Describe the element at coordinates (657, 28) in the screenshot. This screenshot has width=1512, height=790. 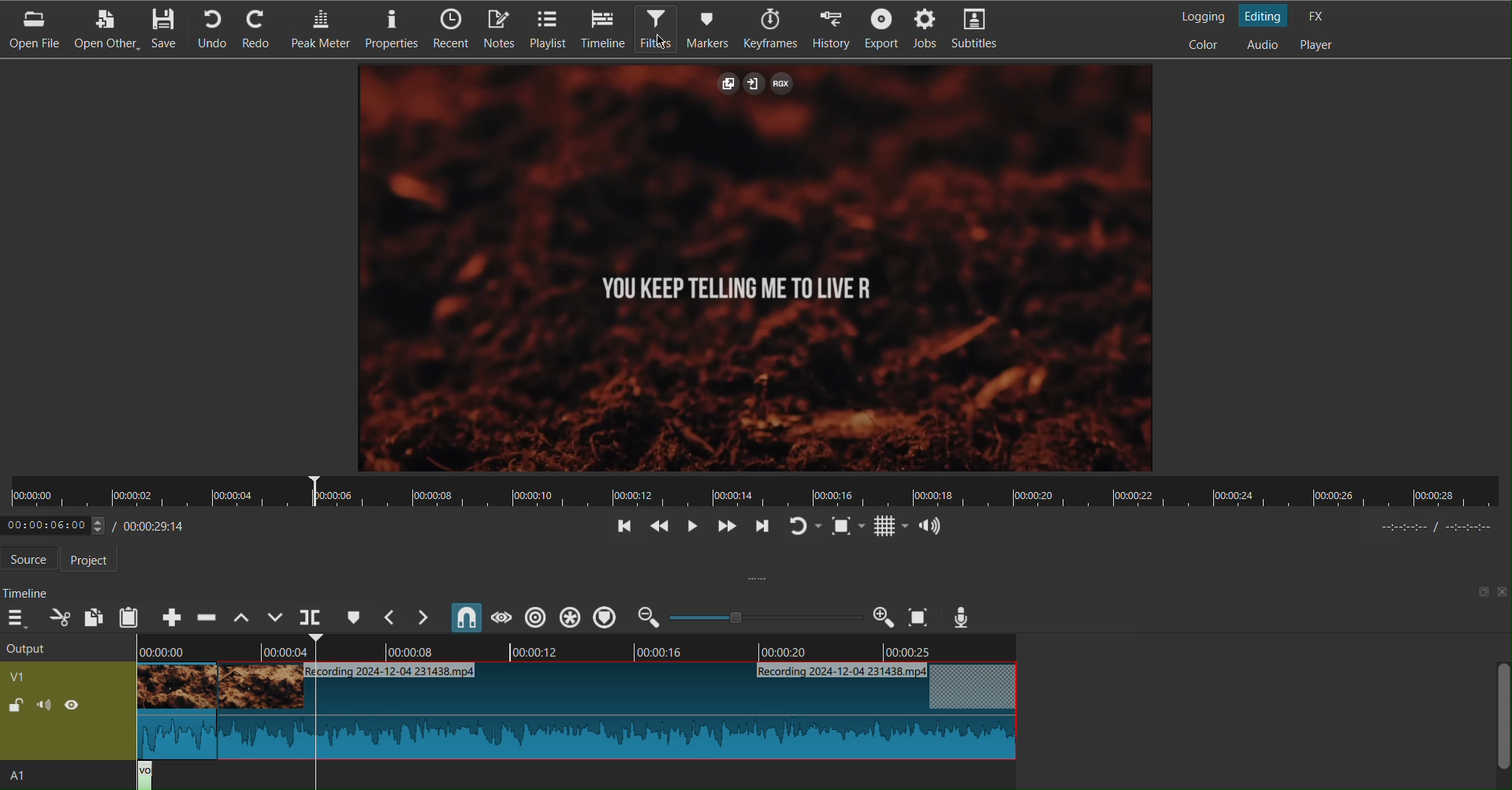
I see `Filters` at that location.